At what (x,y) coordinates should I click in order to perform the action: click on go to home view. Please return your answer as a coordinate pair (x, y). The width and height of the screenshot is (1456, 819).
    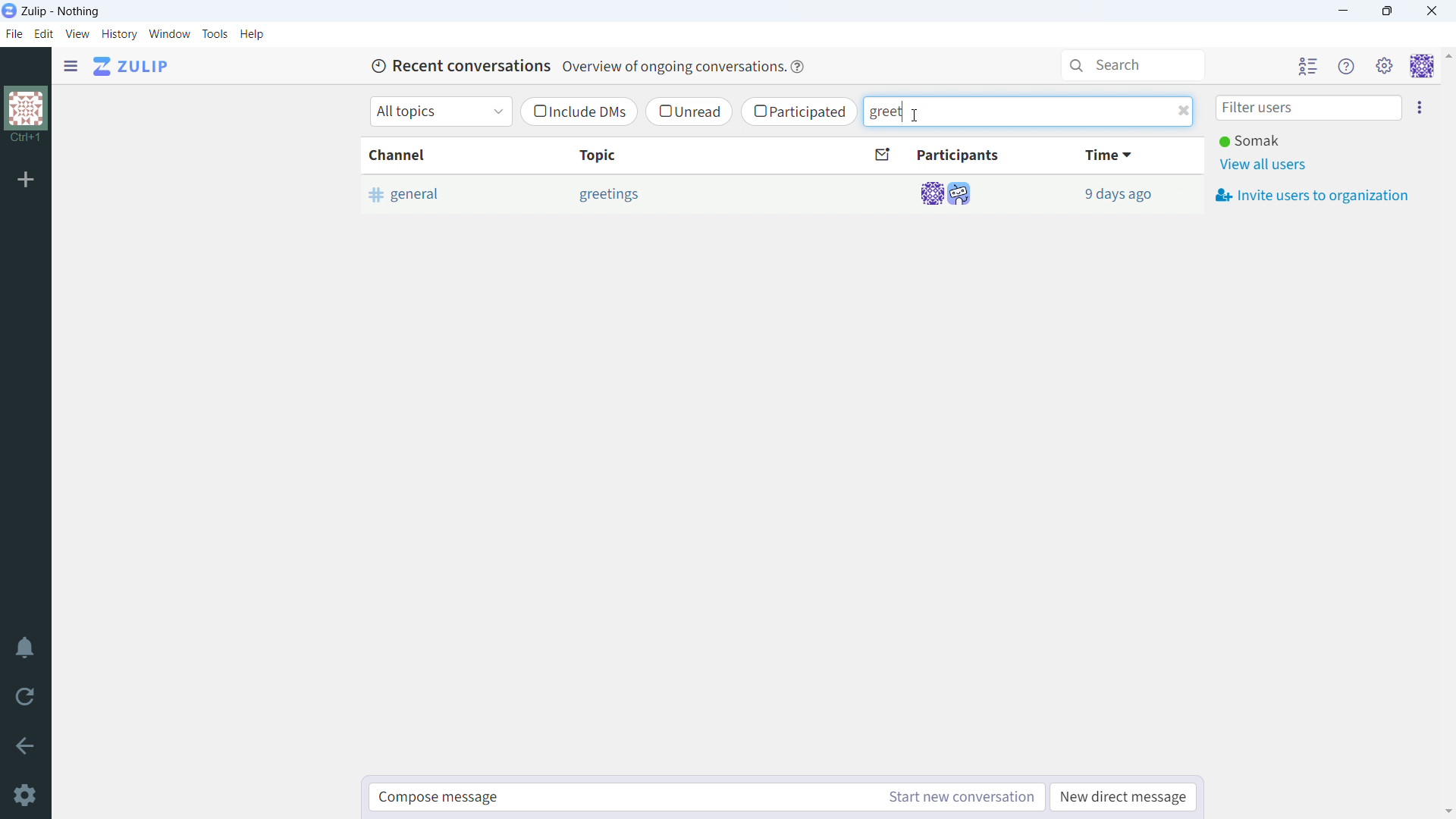
    Looking at the image, I should click on (131, 67).